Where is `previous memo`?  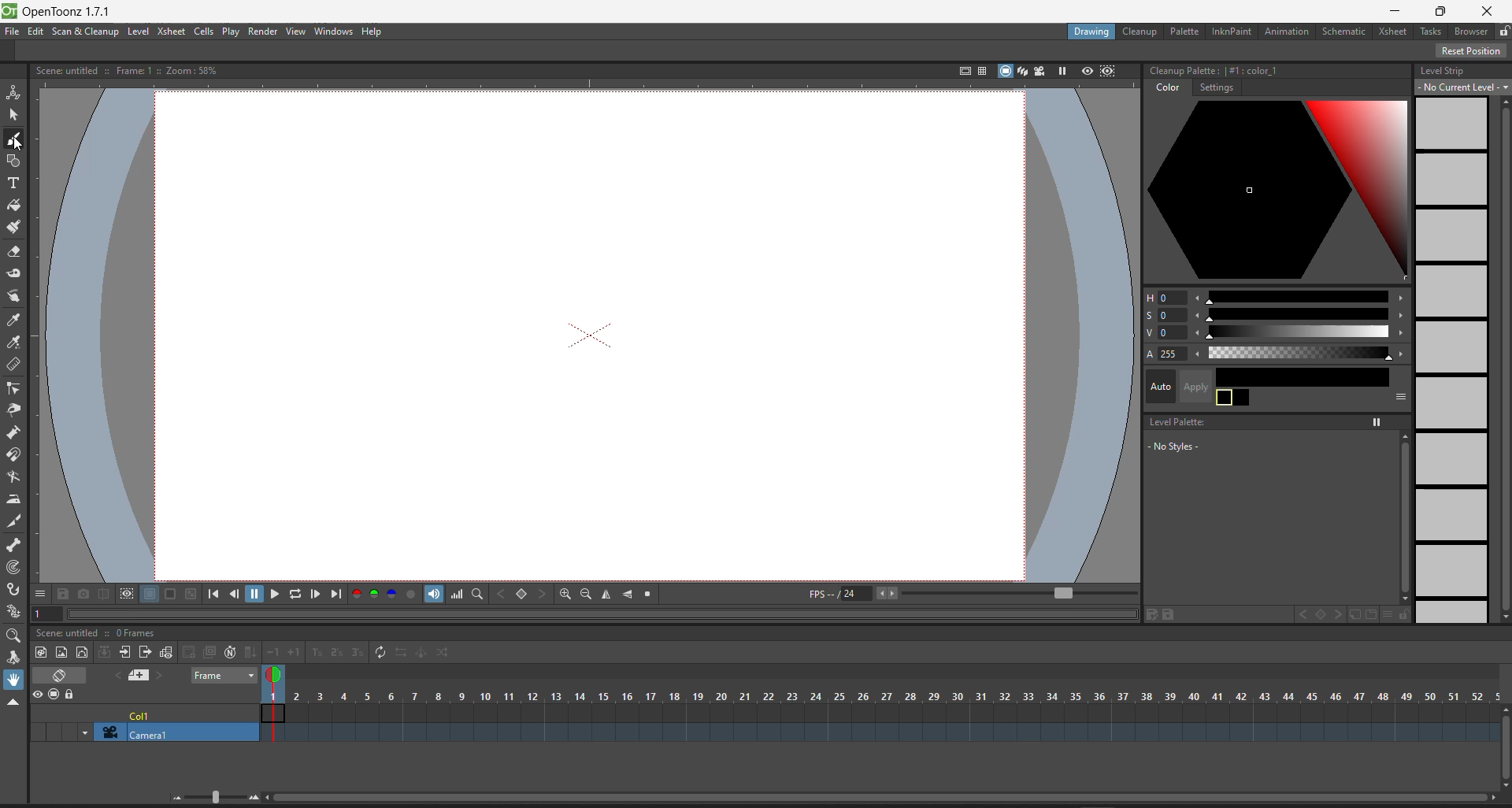
previous memo is located at coordinates (114, 676).